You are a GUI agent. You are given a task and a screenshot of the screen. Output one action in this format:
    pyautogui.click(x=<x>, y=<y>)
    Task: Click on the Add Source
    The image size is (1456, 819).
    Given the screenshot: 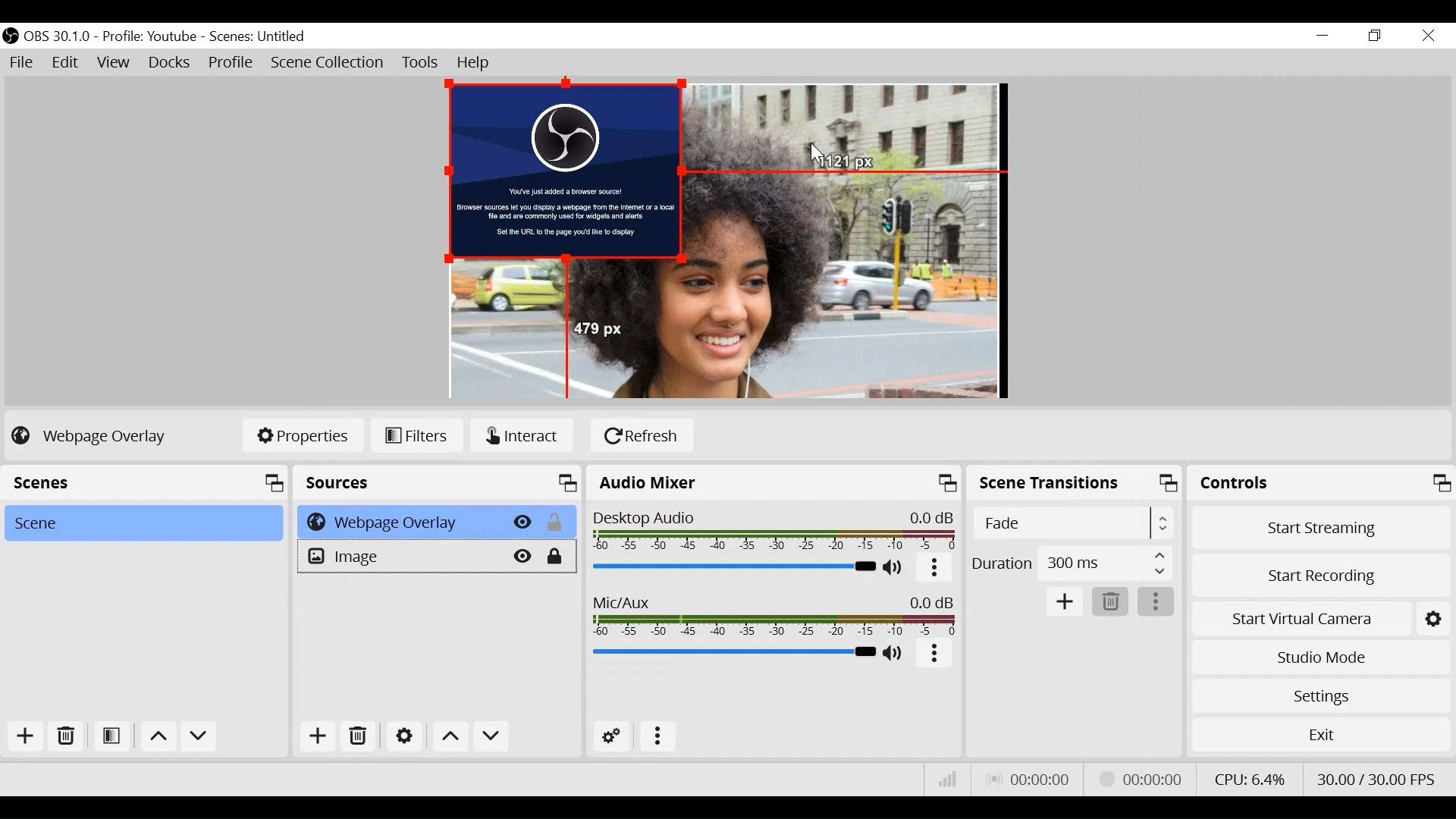 What is the action you would take?
    pyautogui.click(x=317, y=738)
    